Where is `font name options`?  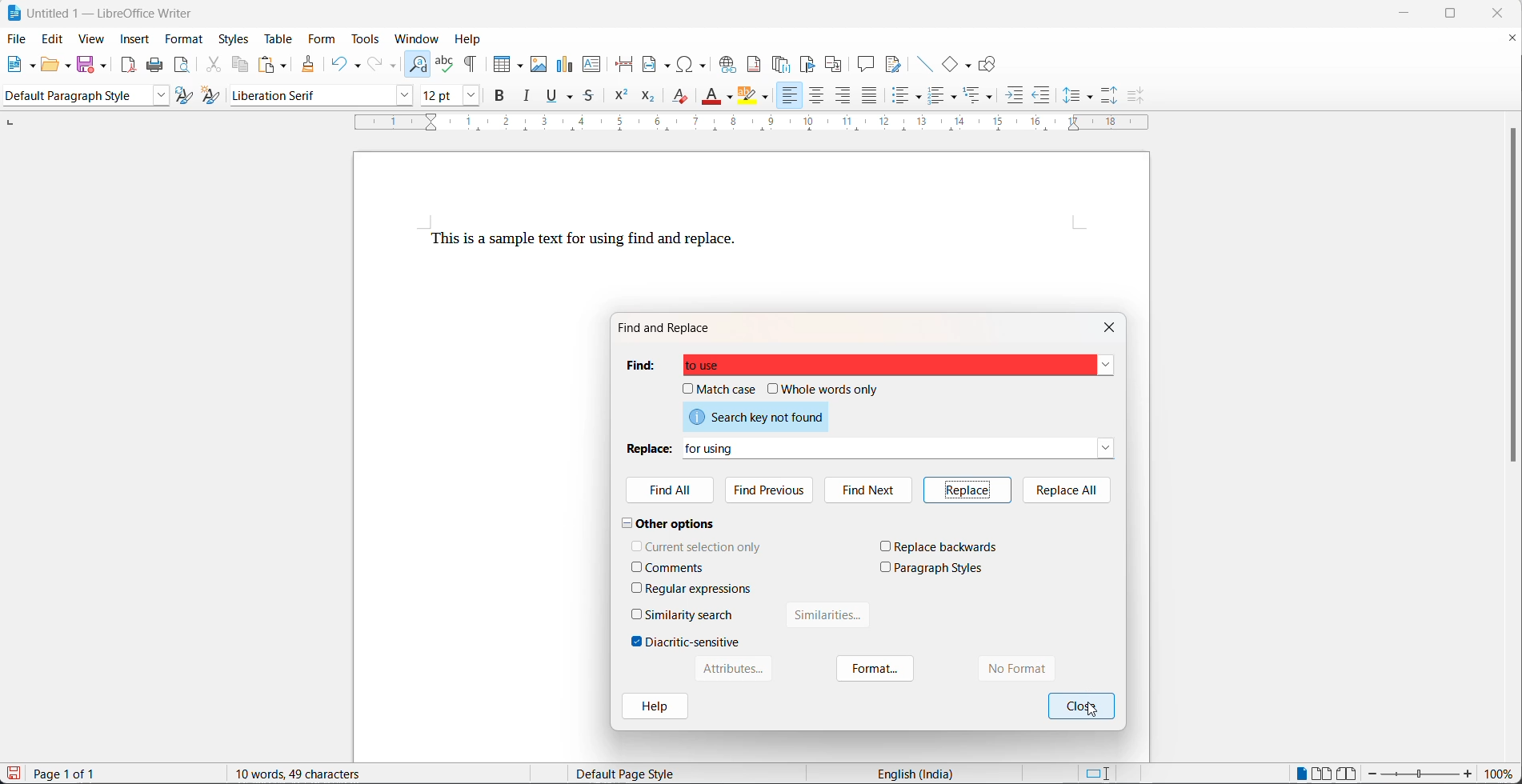
font name options is located at coordinates (401, 96).